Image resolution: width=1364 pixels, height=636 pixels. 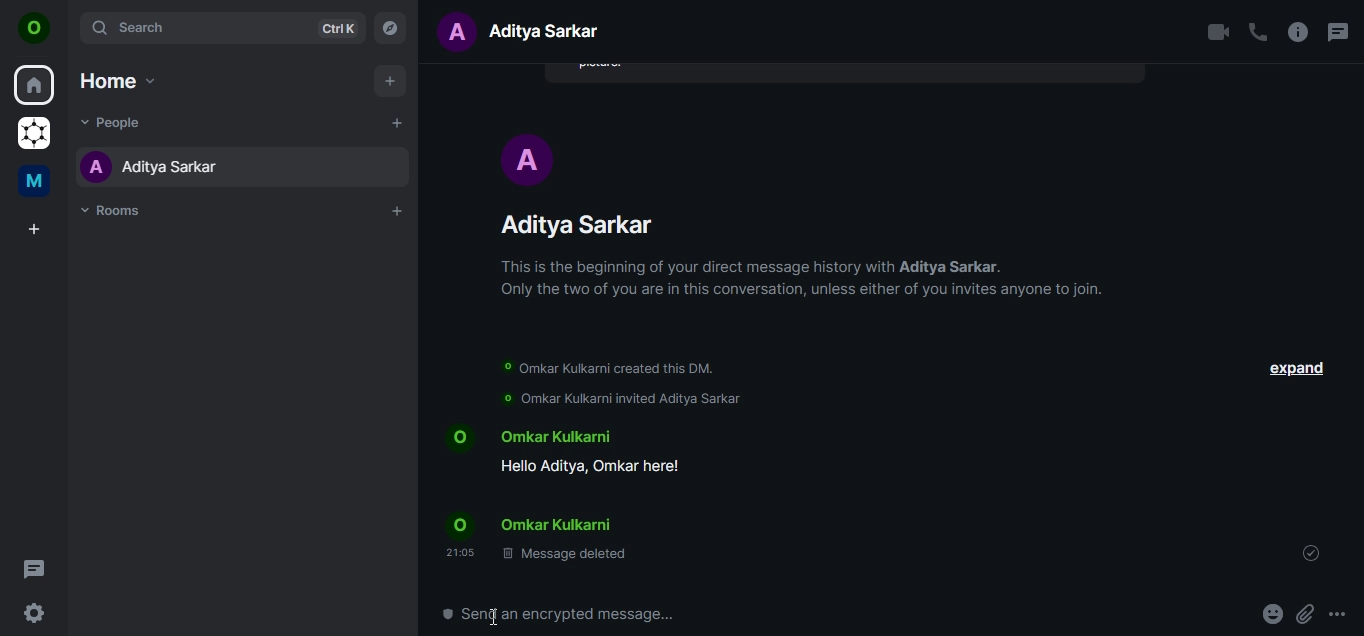 What do you see at coordinates (36, 229) in the screenshot?
I see `create a space` at bounding box center [36, 229].